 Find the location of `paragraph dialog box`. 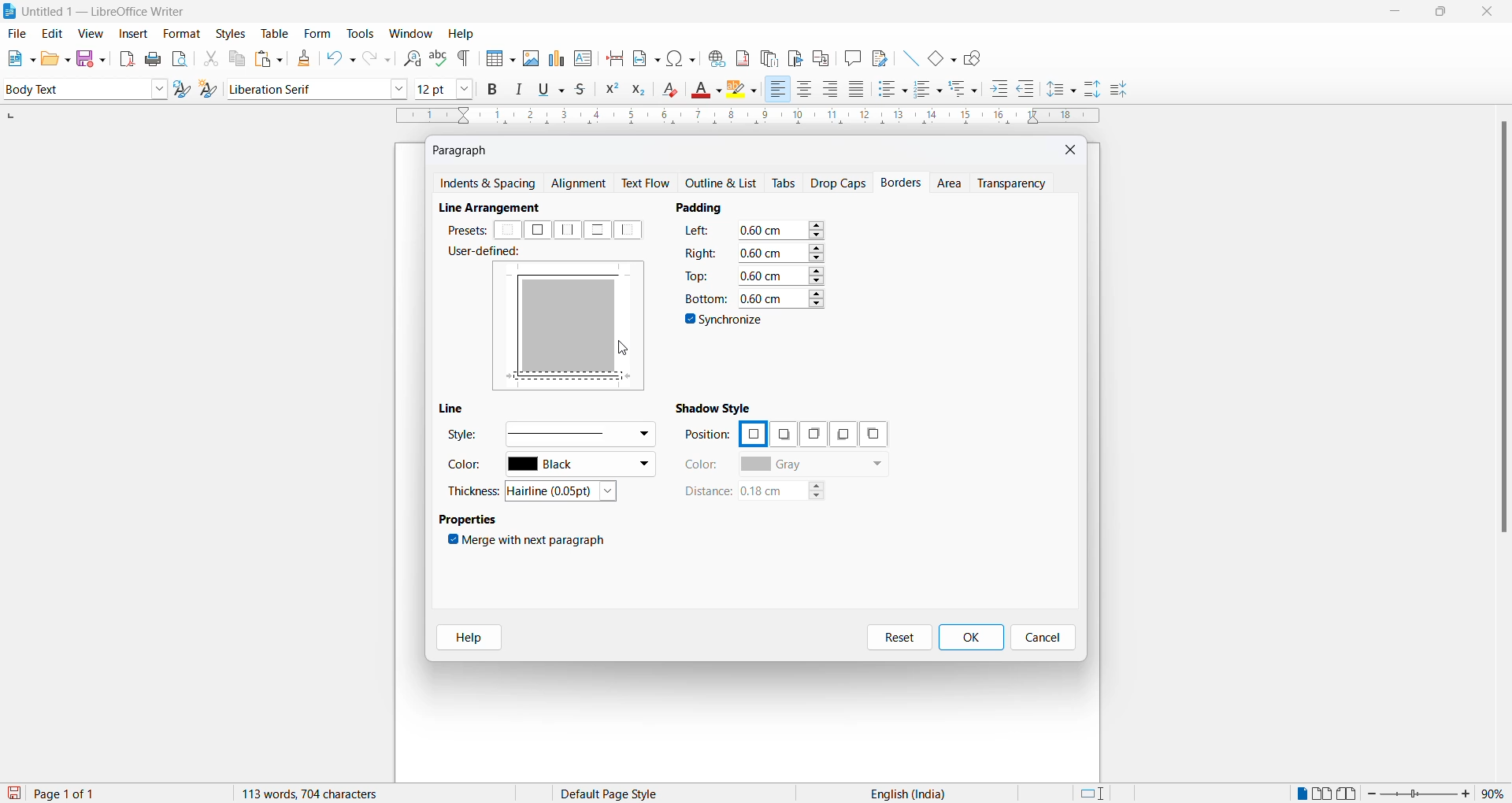

paragraph dialog box is located at coordinates (464, 150).